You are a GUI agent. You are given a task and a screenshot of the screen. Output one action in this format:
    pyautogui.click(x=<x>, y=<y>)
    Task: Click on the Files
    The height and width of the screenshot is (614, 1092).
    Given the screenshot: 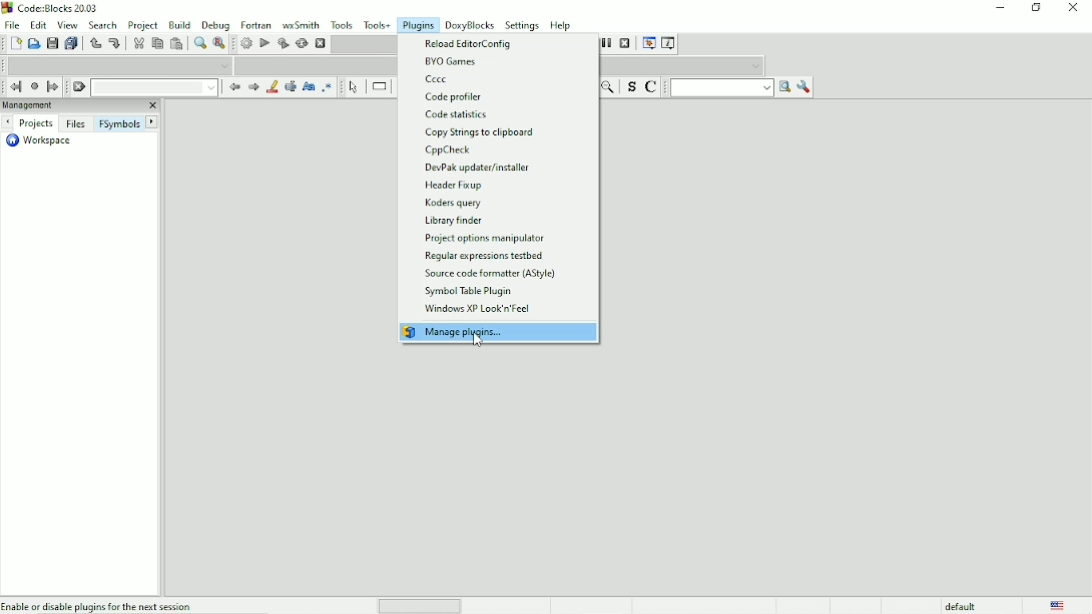 What is the action you would take?
    pyautogui.click(x=75, y=123)
    